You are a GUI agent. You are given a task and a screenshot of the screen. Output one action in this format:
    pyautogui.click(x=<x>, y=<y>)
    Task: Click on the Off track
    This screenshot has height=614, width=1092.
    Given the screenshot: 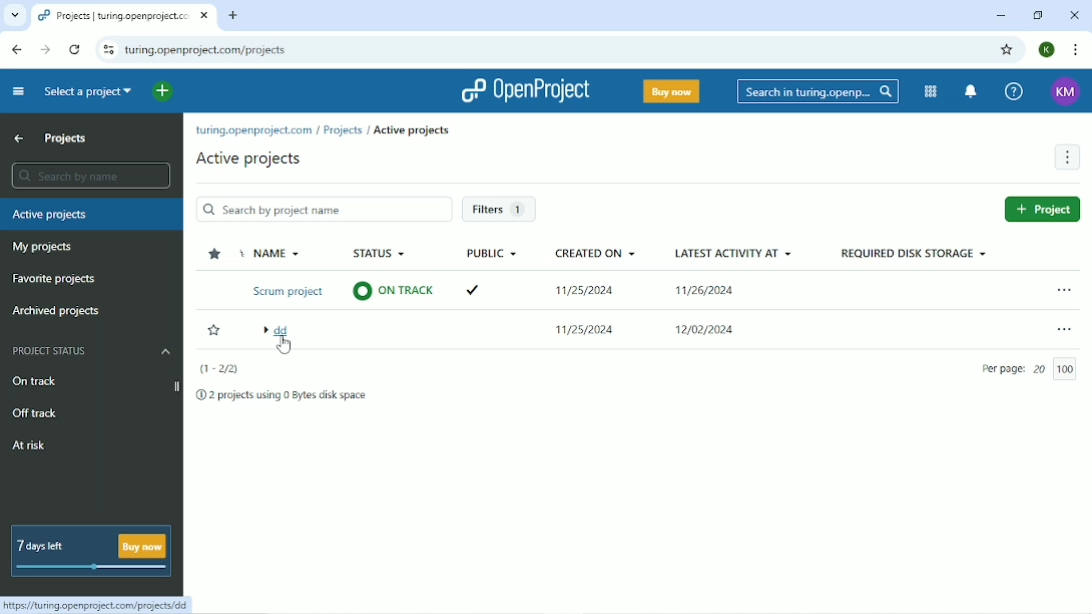 What is the action you would take?
    pyautogui.click(x=34, y=413)
    